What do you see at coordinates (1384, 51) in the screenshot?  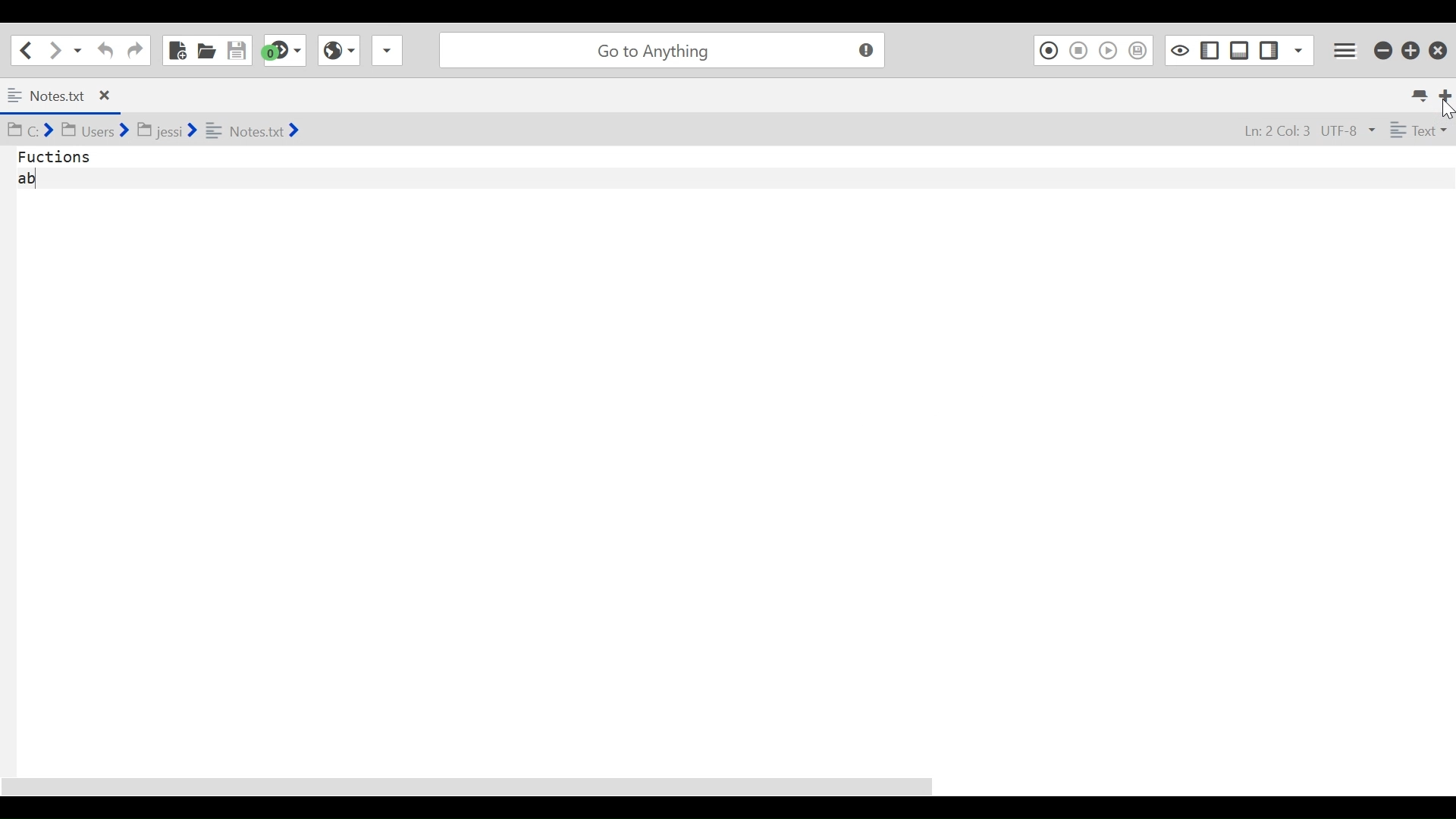 I see `minimize` at bounding box center [1384, 51].